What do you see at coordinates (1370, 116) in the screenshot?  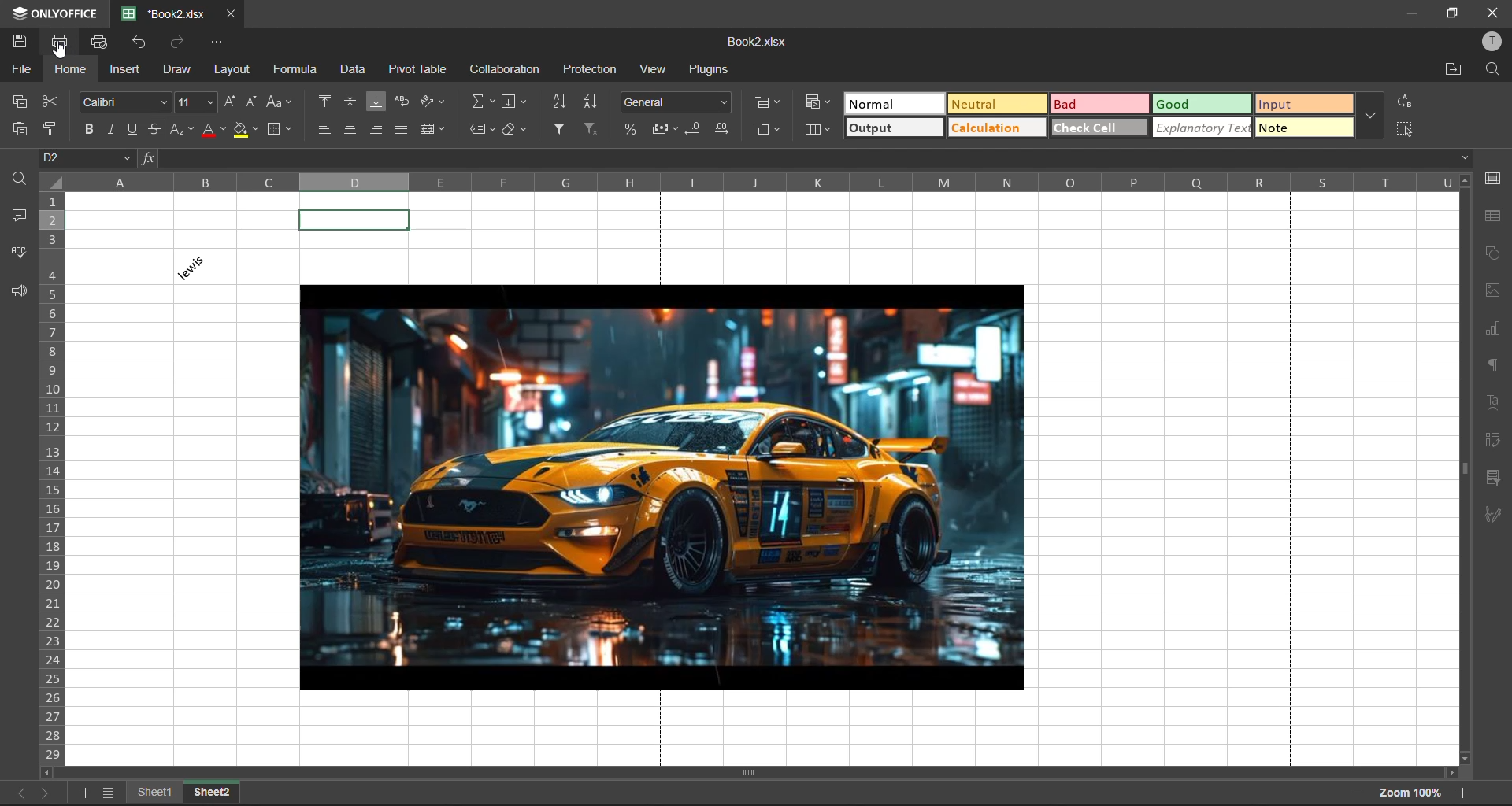 I see `more options` at bounding box center [1370, 116].